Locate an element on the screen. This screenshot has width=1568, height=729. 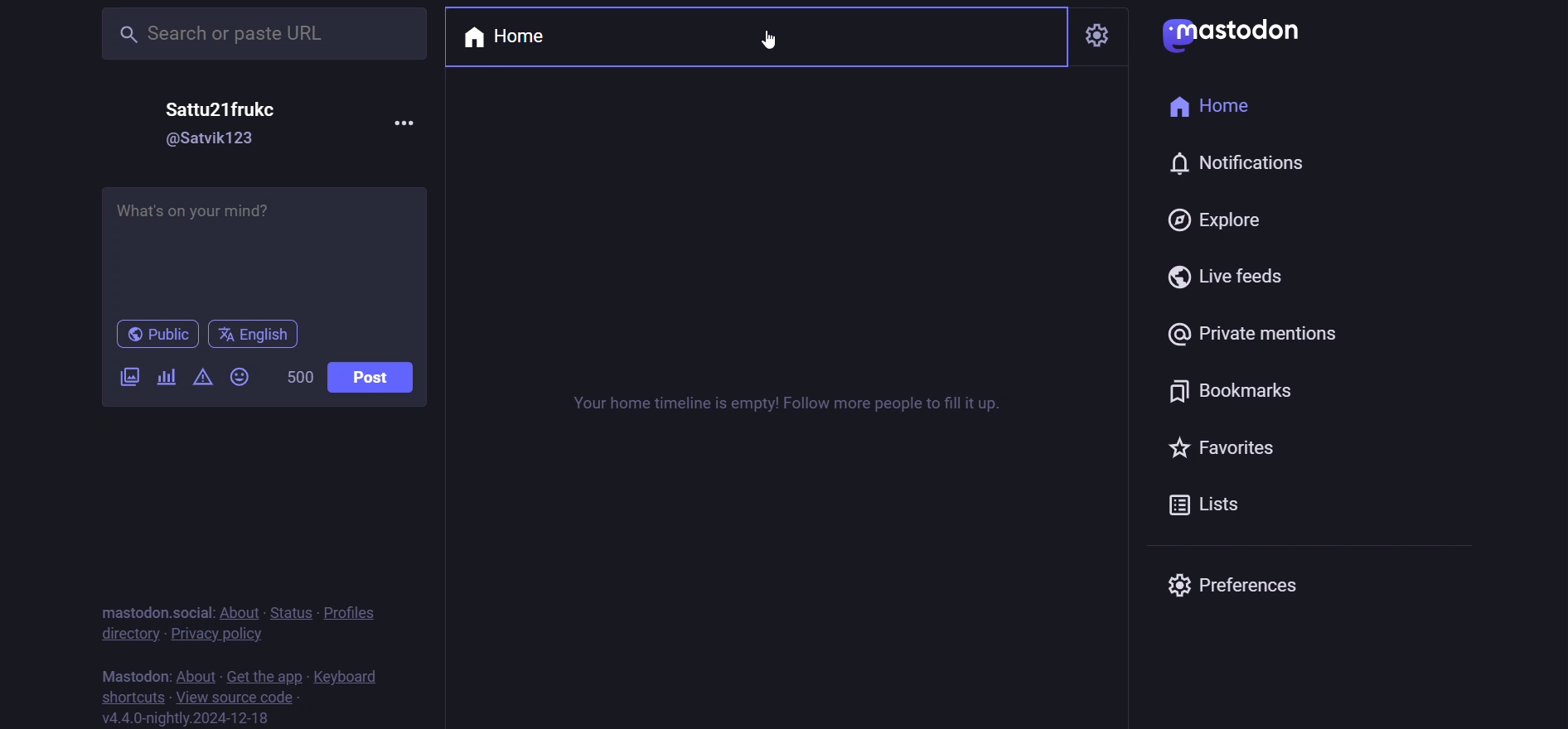
mastodon is located at coordinates (130, 673).